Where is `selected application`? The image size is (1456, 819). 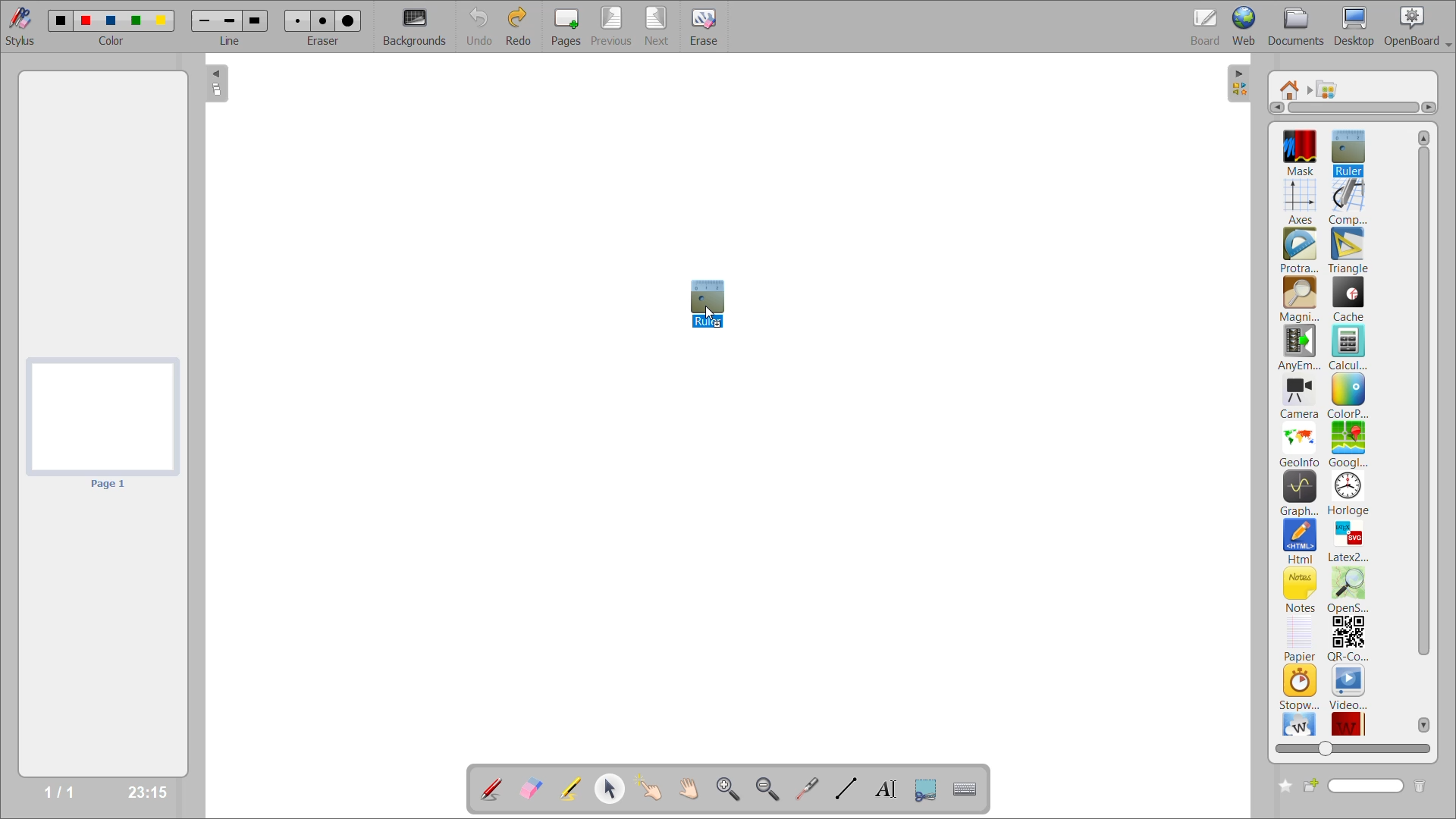
selected application is located at coordinates (712, 306).